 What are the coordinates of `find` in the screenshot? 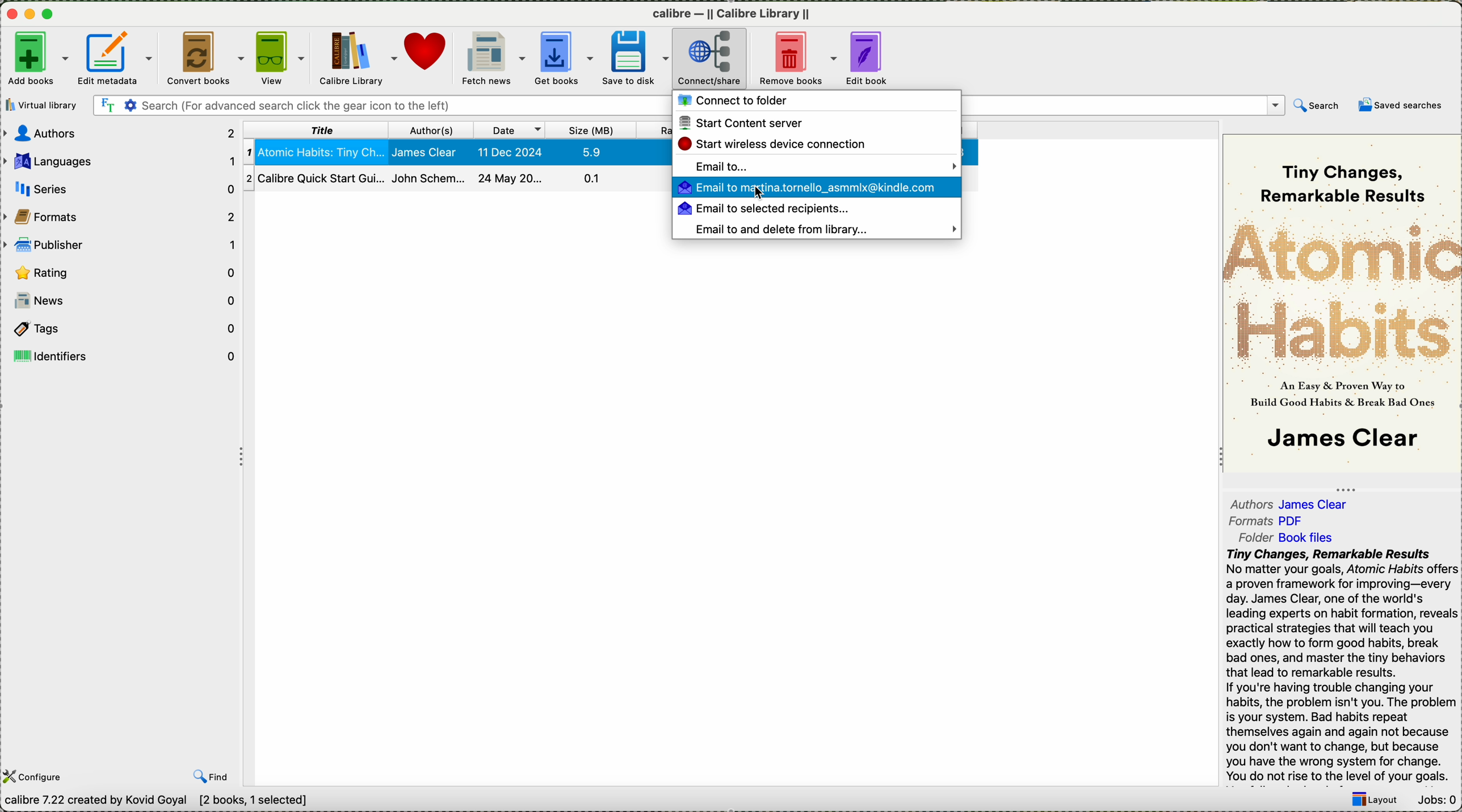 It's located at (214, 776).